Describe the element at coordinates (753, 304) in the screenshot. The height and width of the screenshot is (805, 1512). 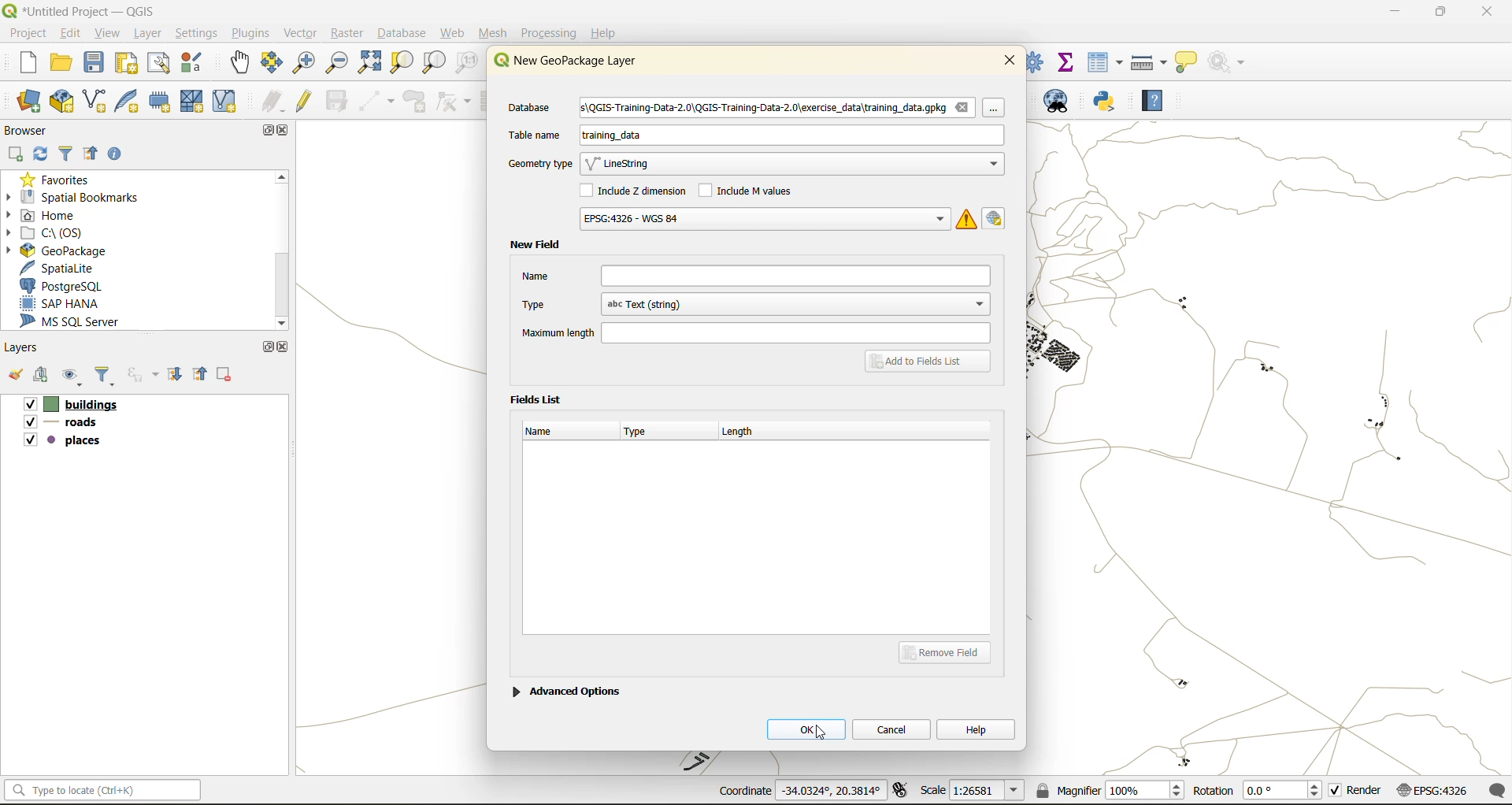
I see `type(text string)` at that location.